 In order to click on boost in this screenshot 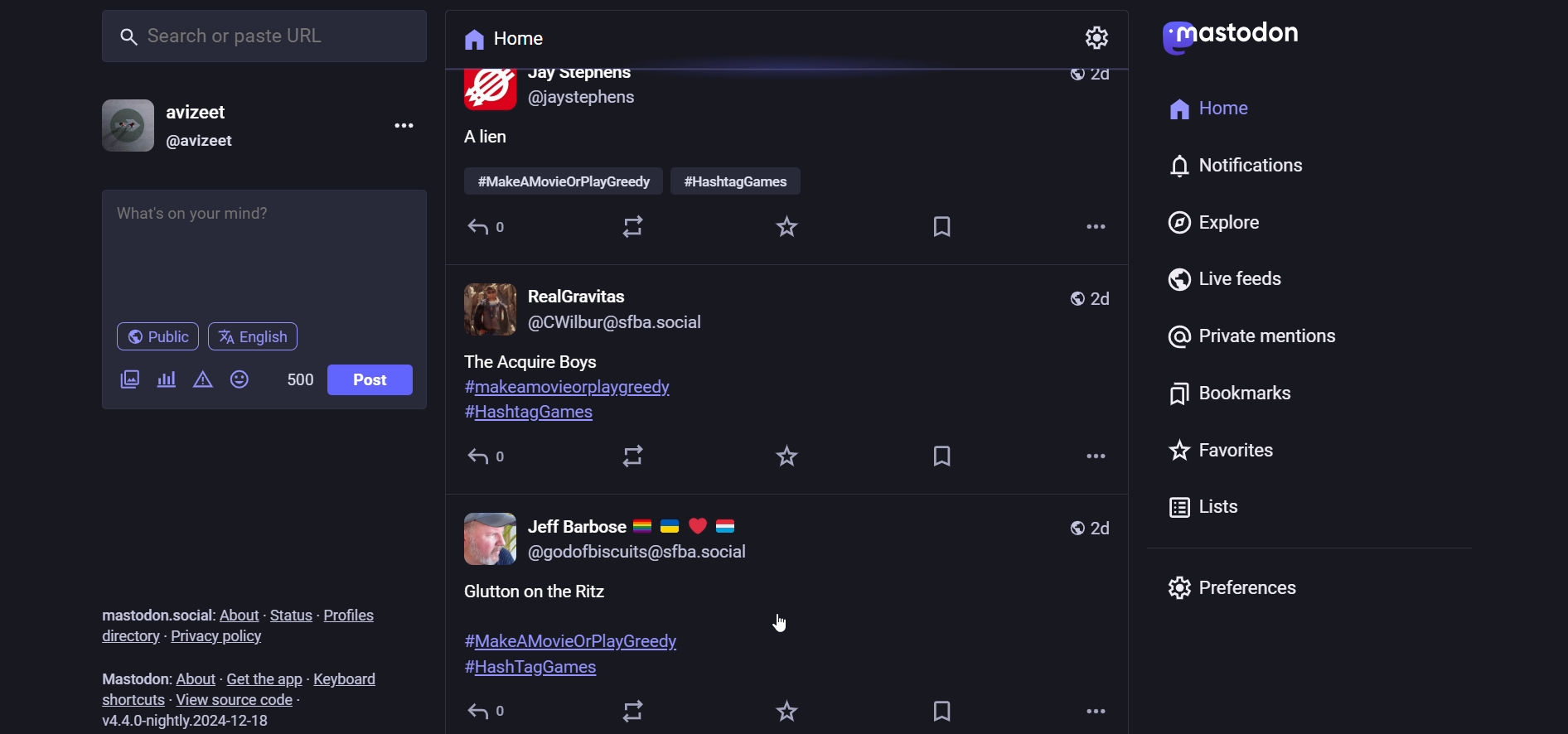, I will do `click(625, 229)`.